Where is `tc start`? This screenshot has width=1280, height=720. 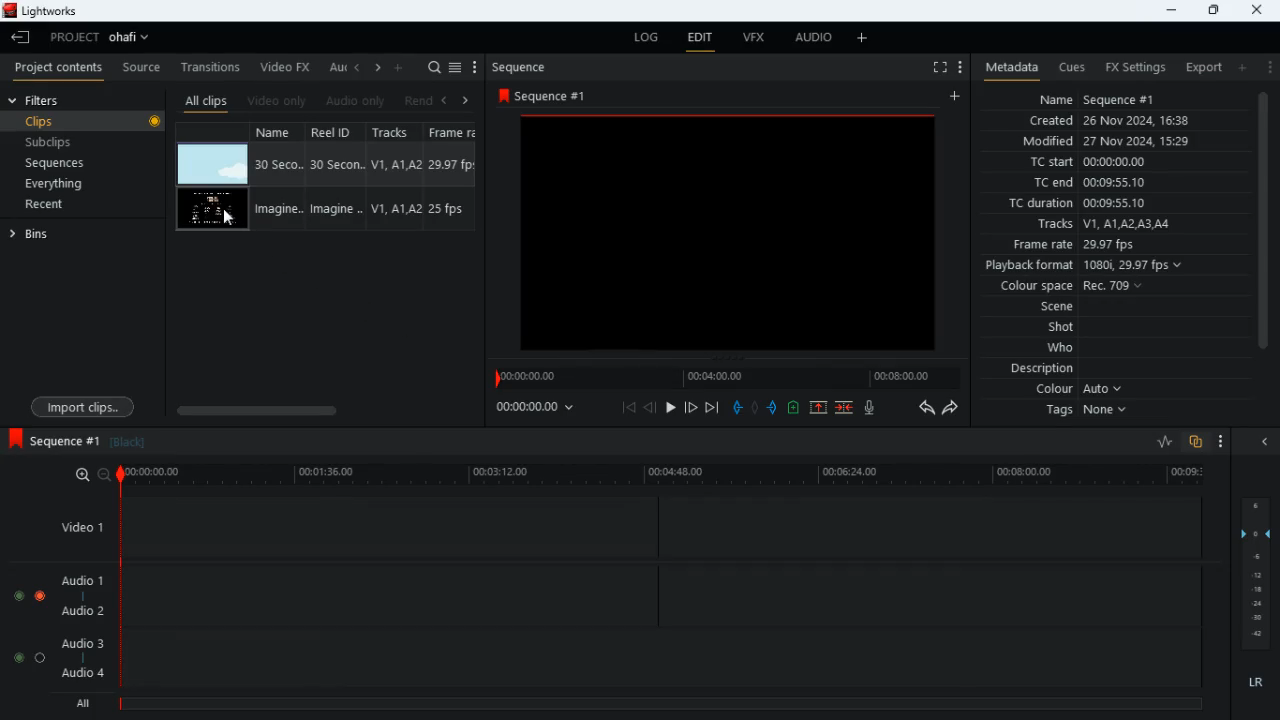 tc start is located at coordinates (1086, 163).